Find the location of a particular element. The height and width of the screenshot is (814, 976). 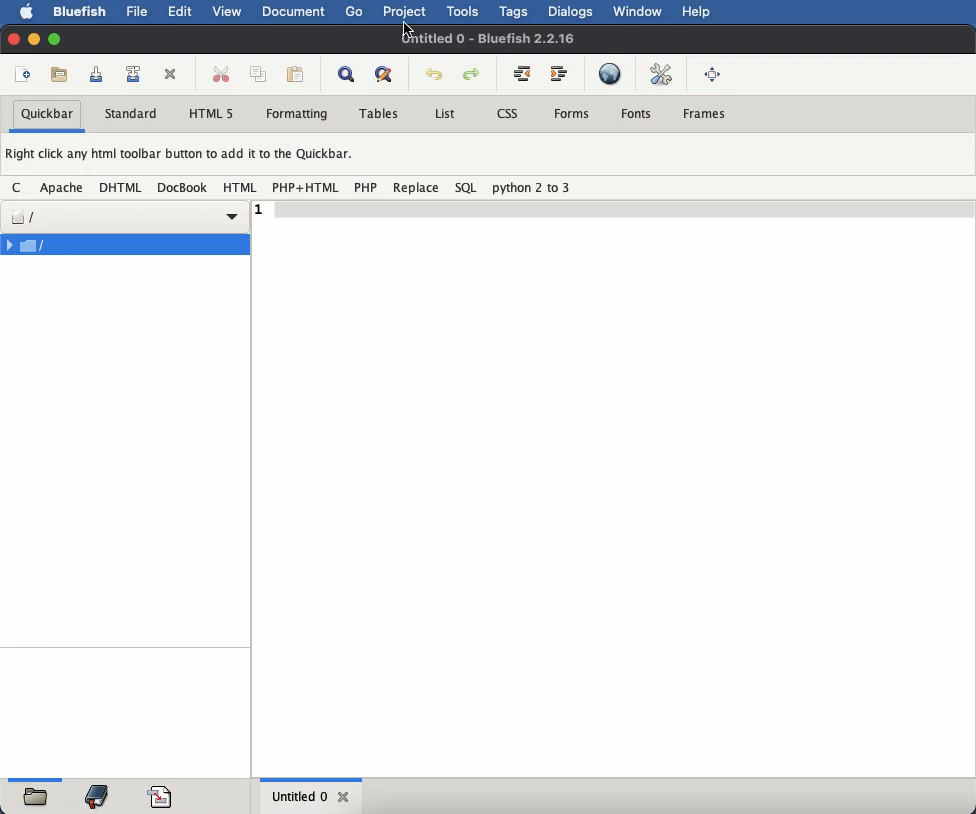

new file is located at coordinates (25, 75).